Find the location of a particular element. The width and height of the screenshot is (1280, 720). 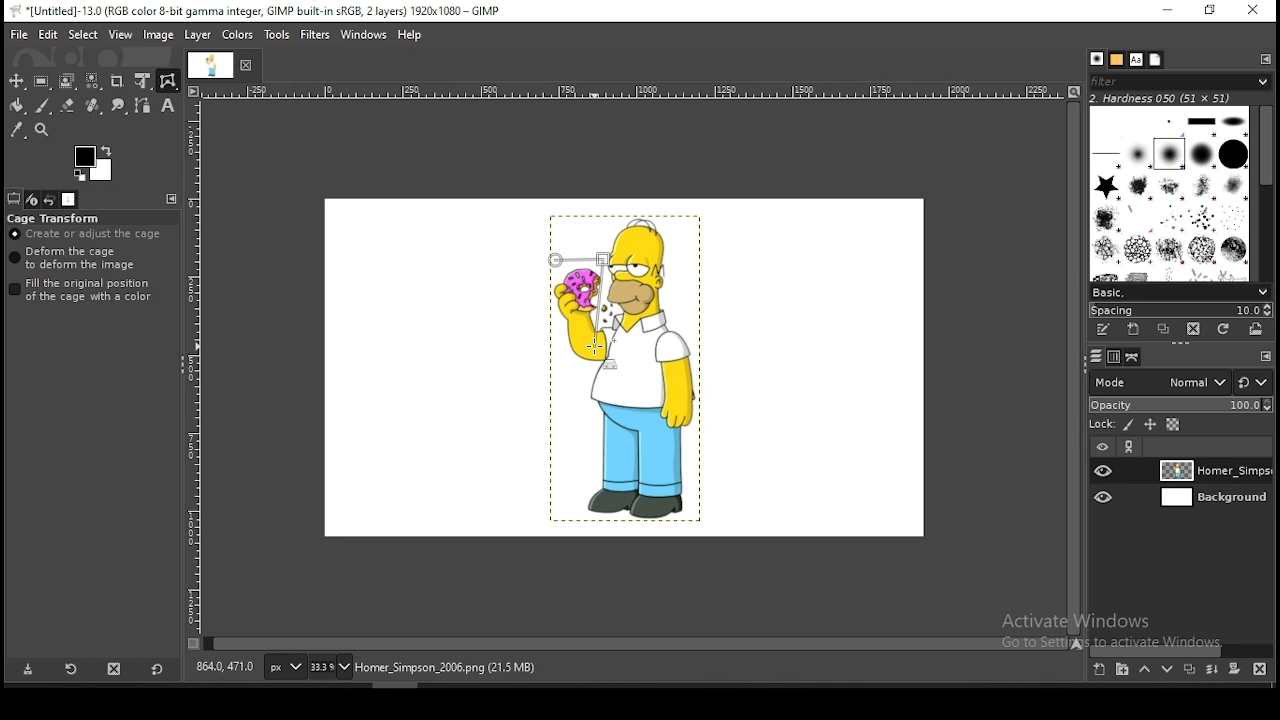

undo history is located at coordinates (50, 199).